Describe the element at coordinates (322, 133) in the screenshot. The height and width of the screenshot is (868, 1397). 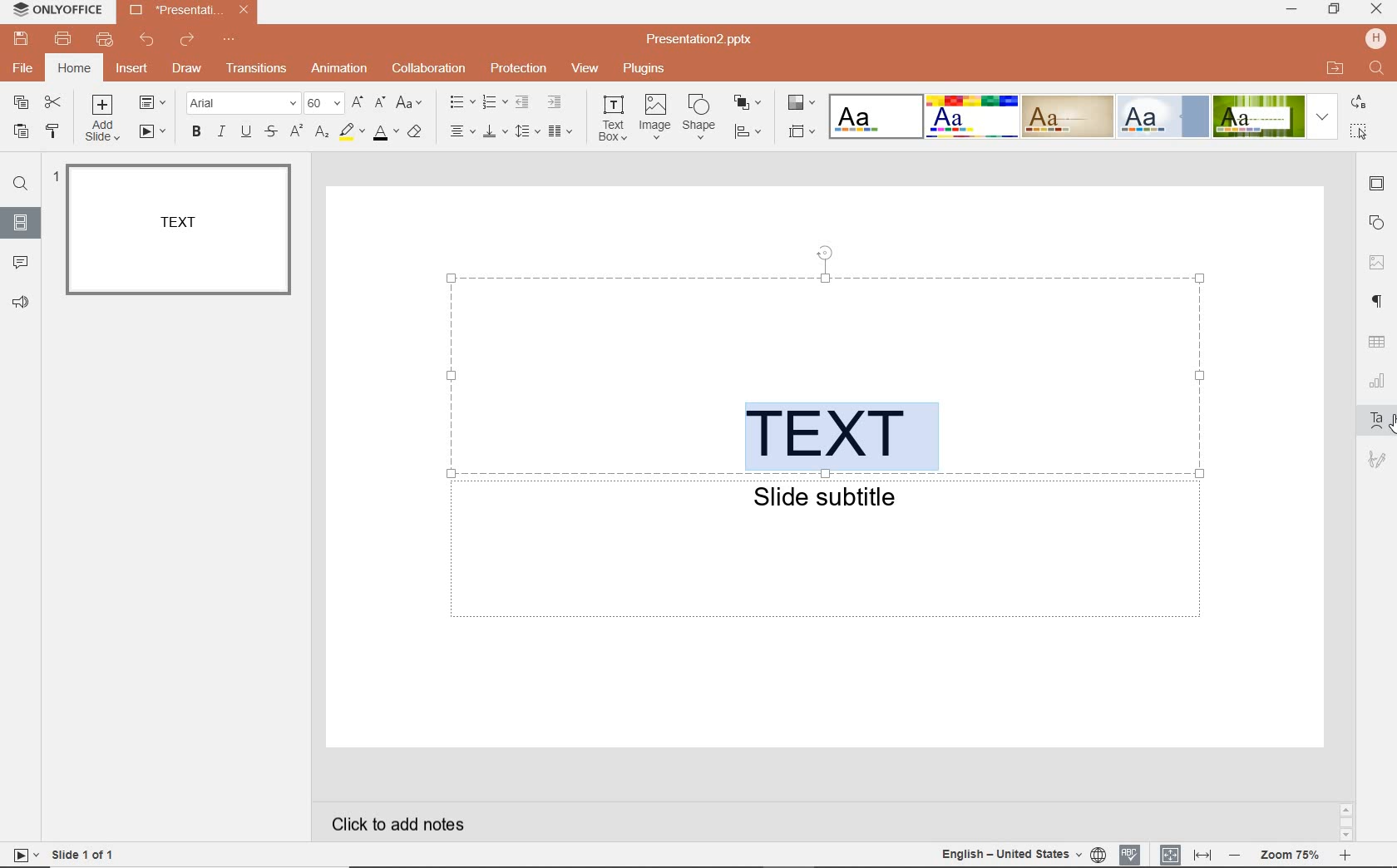
I see `SUBSCRIPT` at that location.